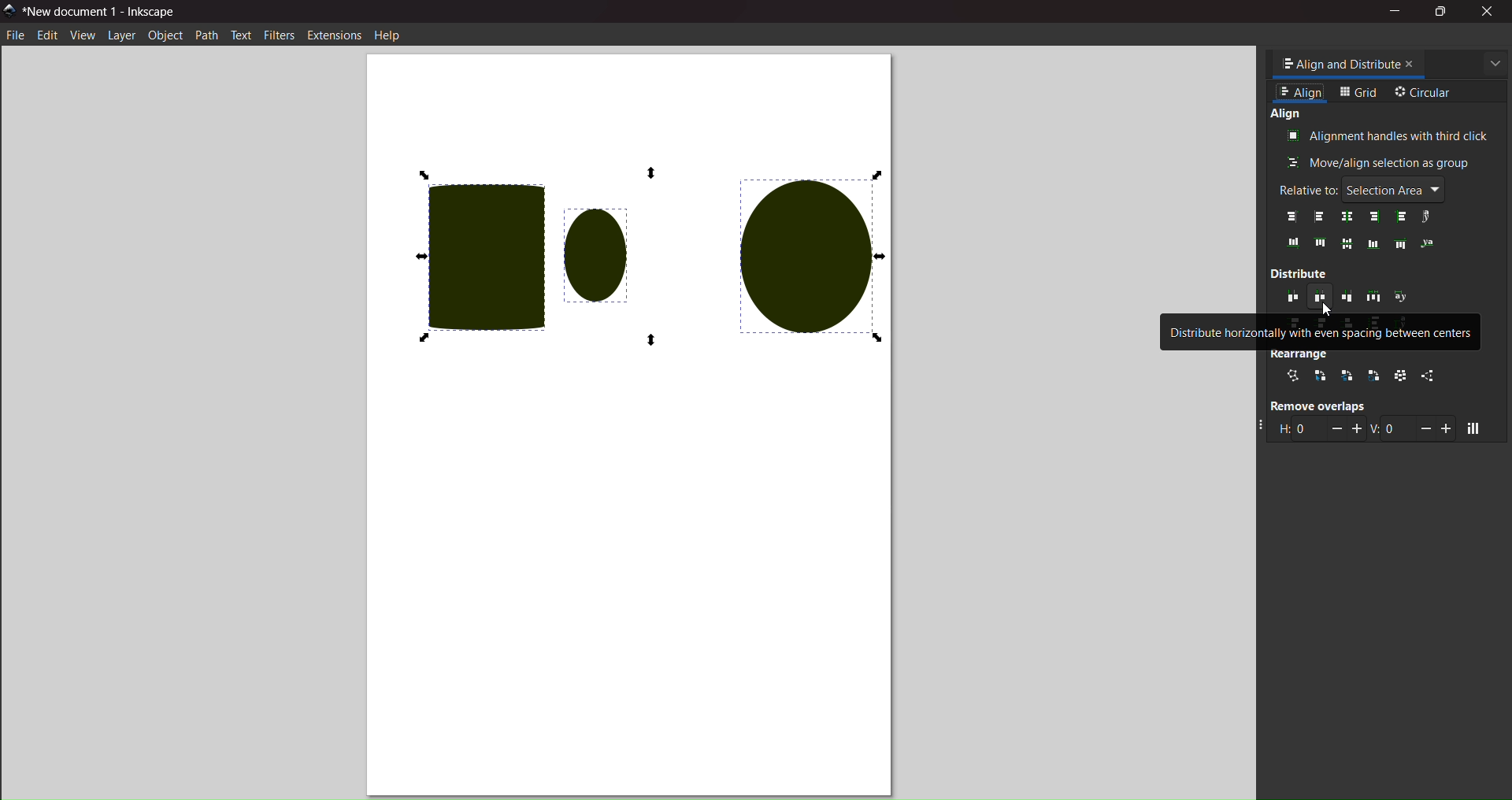 The image size is (1512, 800). What do you see at coordinates (1375, 298) in the screenshot?
I see `distribute horizontally with even gaps` at bounding box center [1375, 298].